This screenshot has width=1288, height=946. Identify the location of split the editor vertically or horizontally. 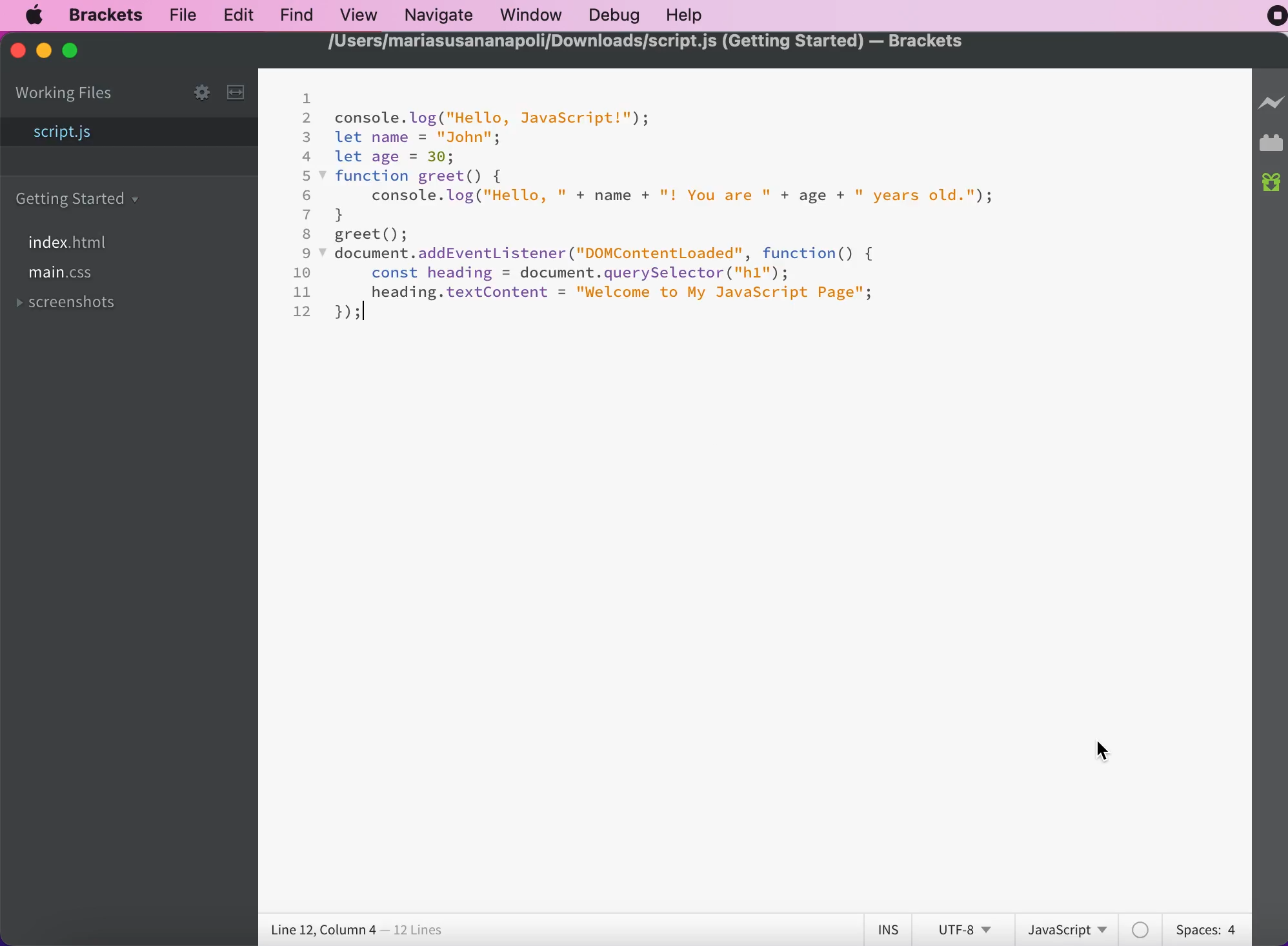
(239, 94).